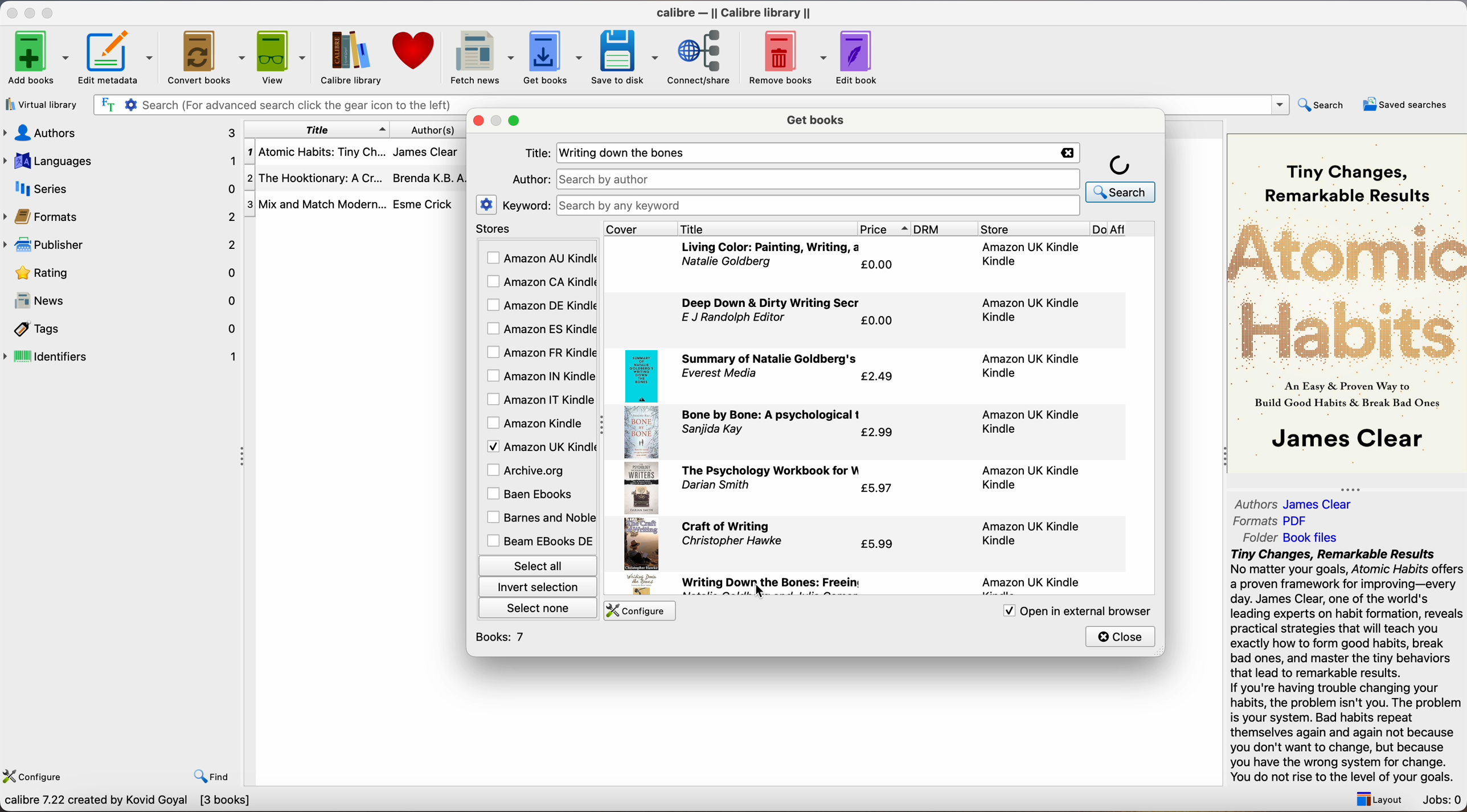 This screenshot has height=812, width=1467. What do you see at coordinates (736, 318) in the screenshot?
I see `E J Randolph Editor ` at bounding box center [736, 318].